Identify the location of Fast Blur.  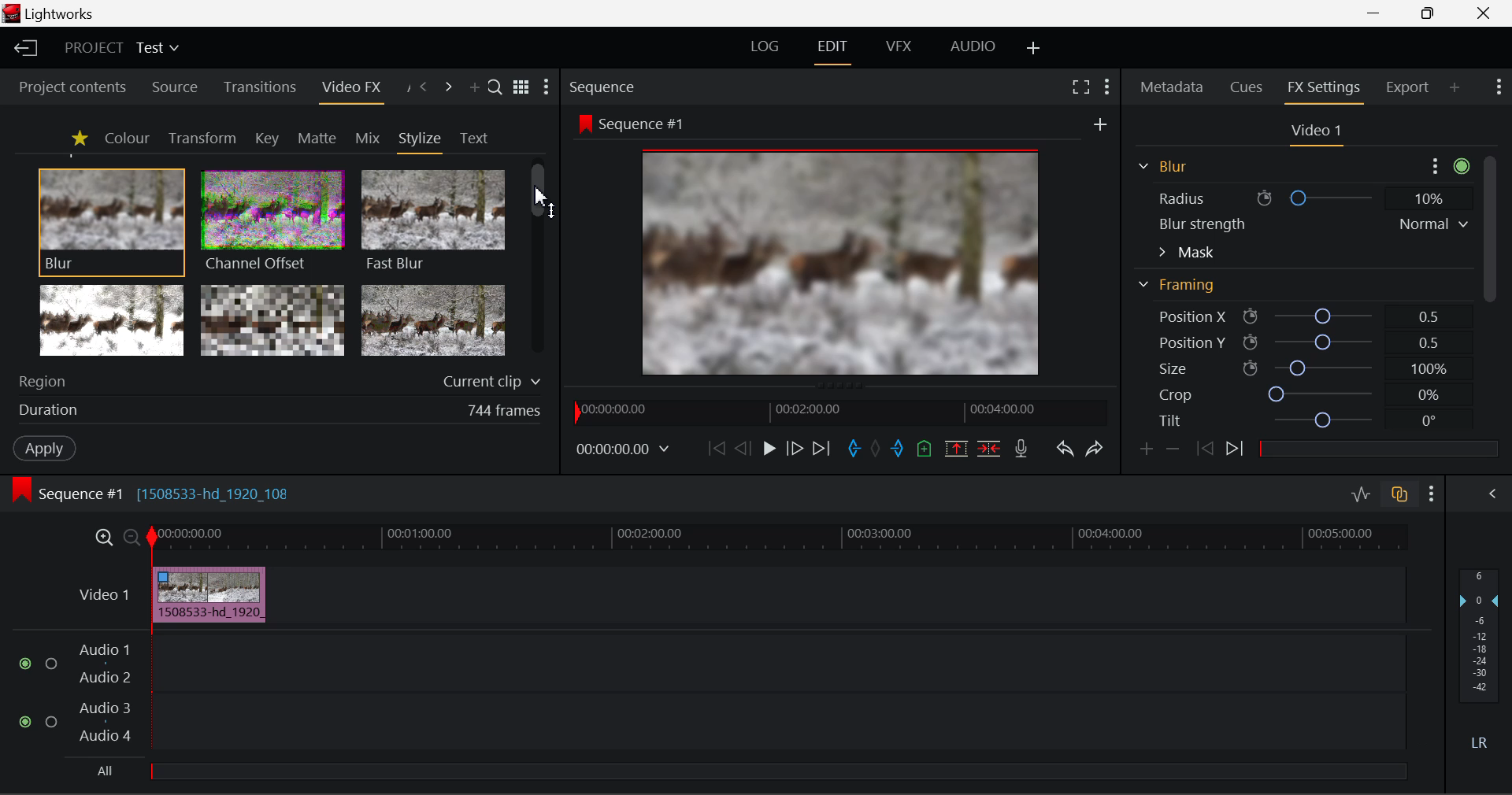
(431, 218).